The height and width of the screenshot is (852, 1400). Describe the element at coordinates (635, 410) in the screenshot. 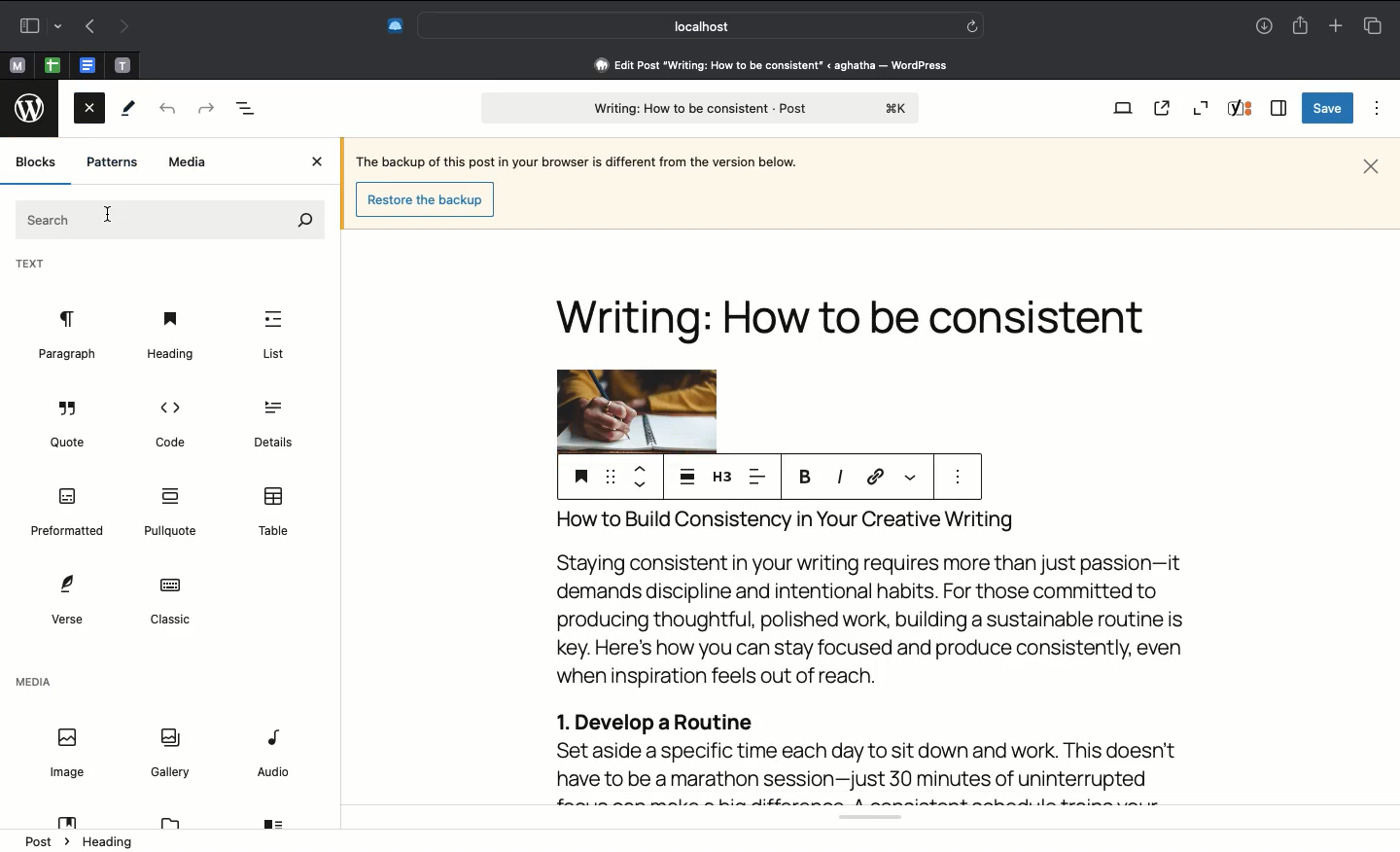

I see `Image` at that location.